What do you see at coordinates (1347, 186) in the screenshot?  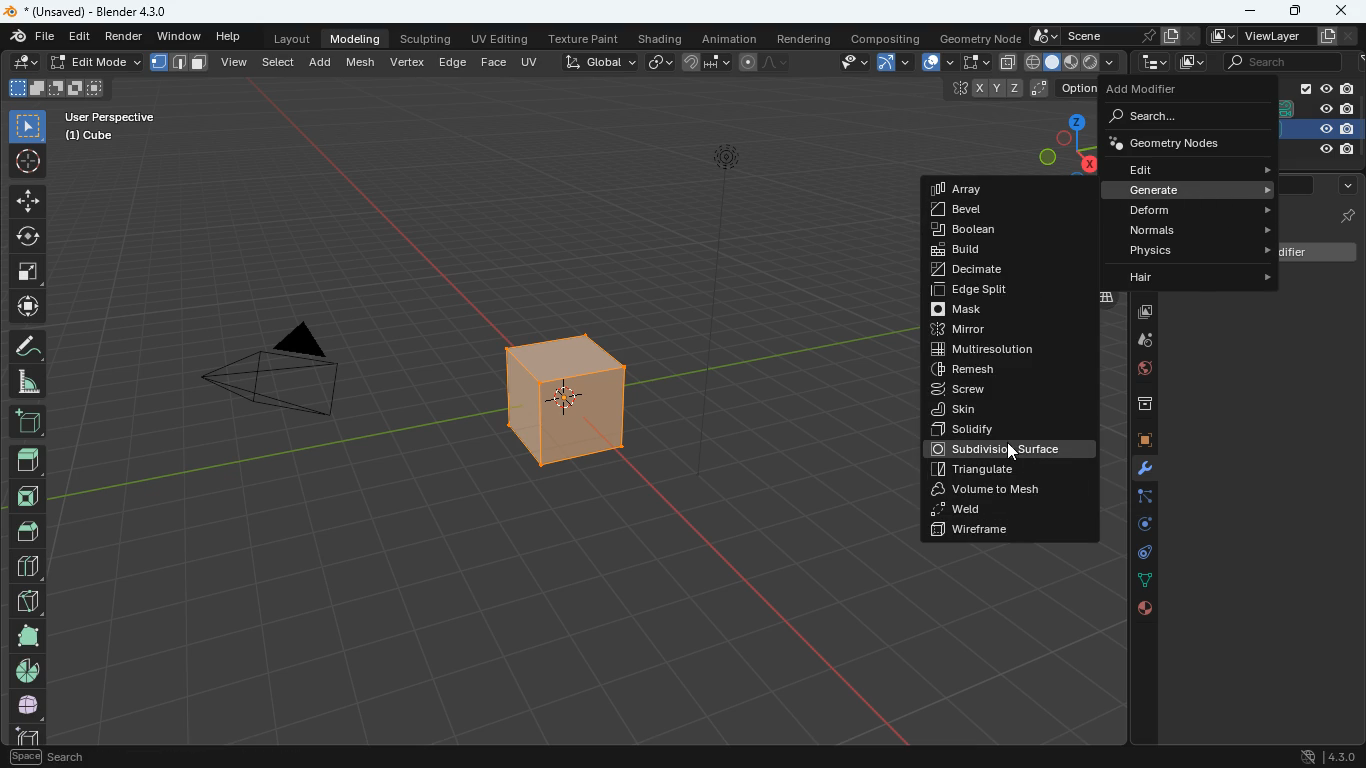 I see `more` at bounding box center [1347, 186].